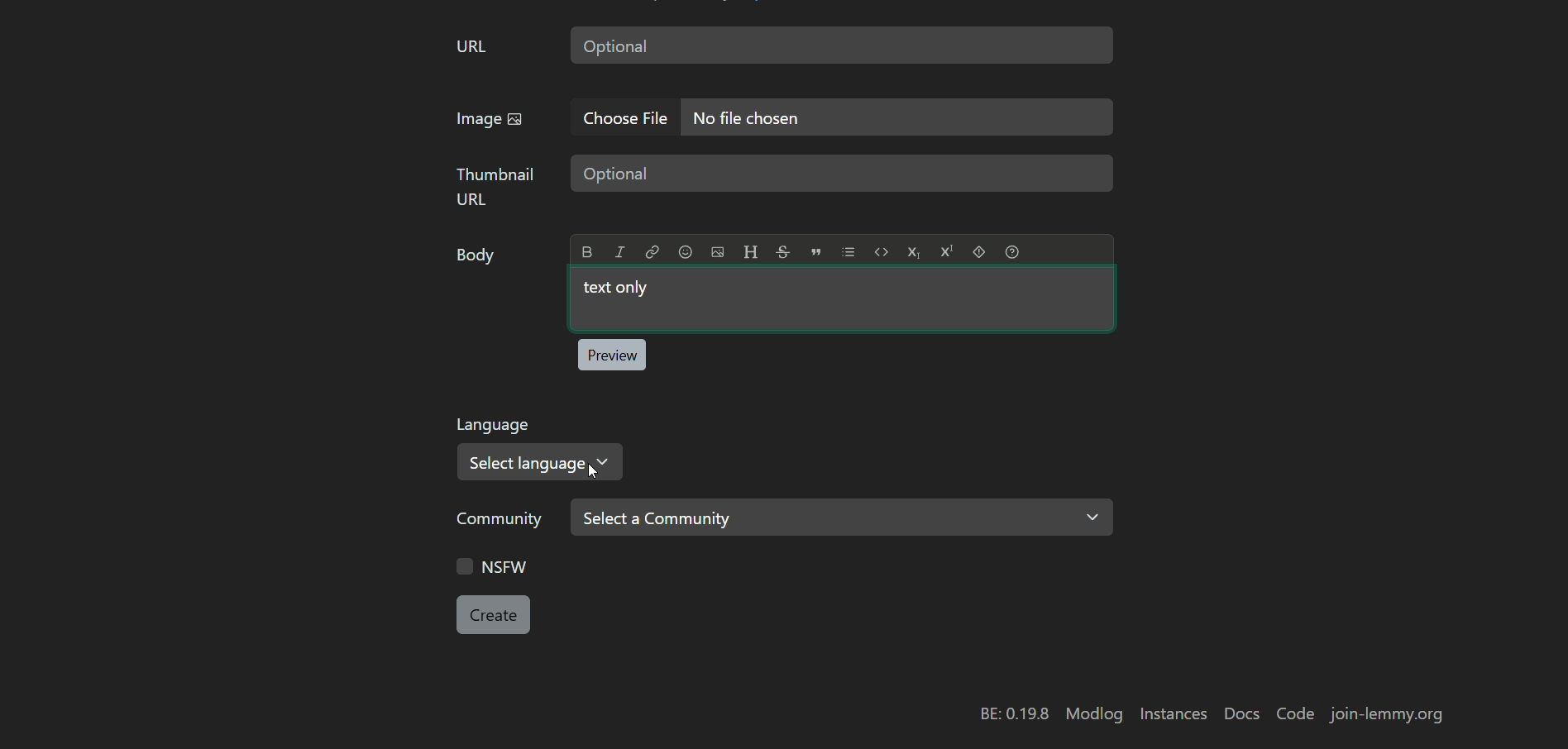 The width and height of the screenshot is (1568, 749). I want to click on Select language, so click(542, 462).